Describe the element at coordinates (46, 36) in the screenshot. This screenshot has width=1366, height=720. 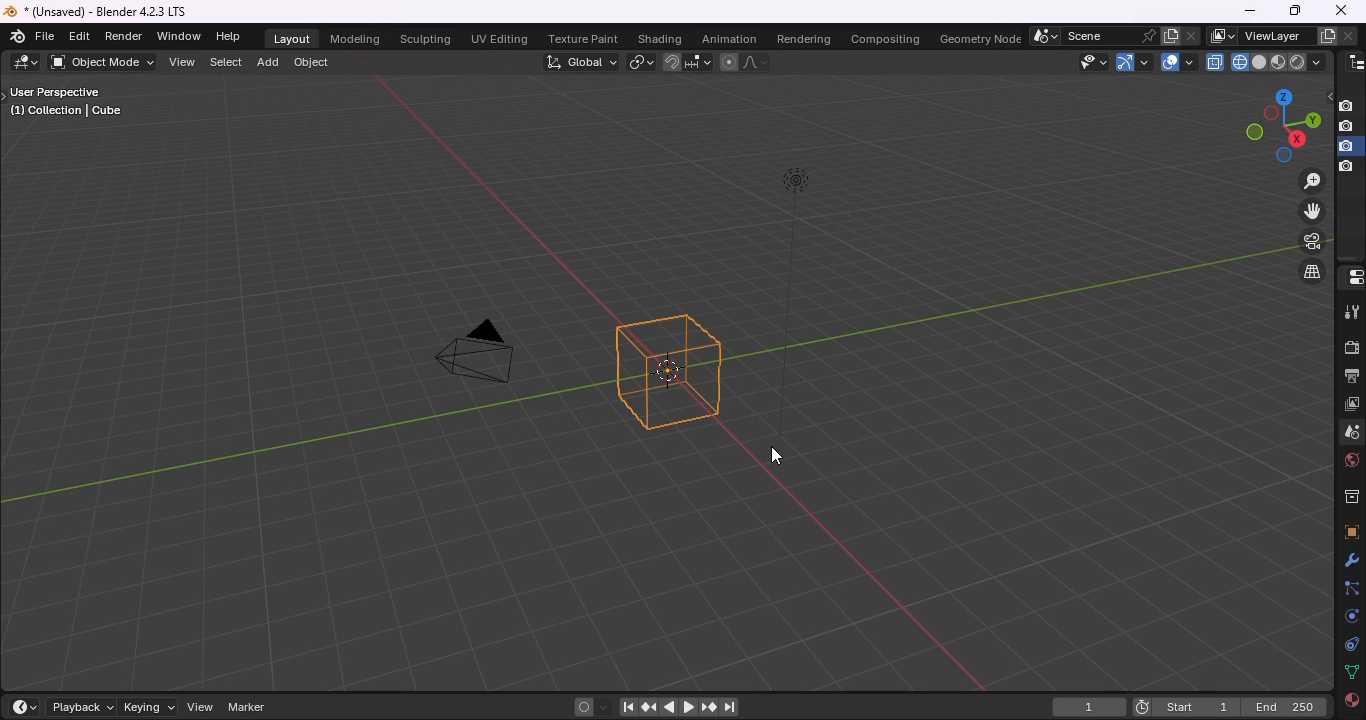
I see `file` at that location.